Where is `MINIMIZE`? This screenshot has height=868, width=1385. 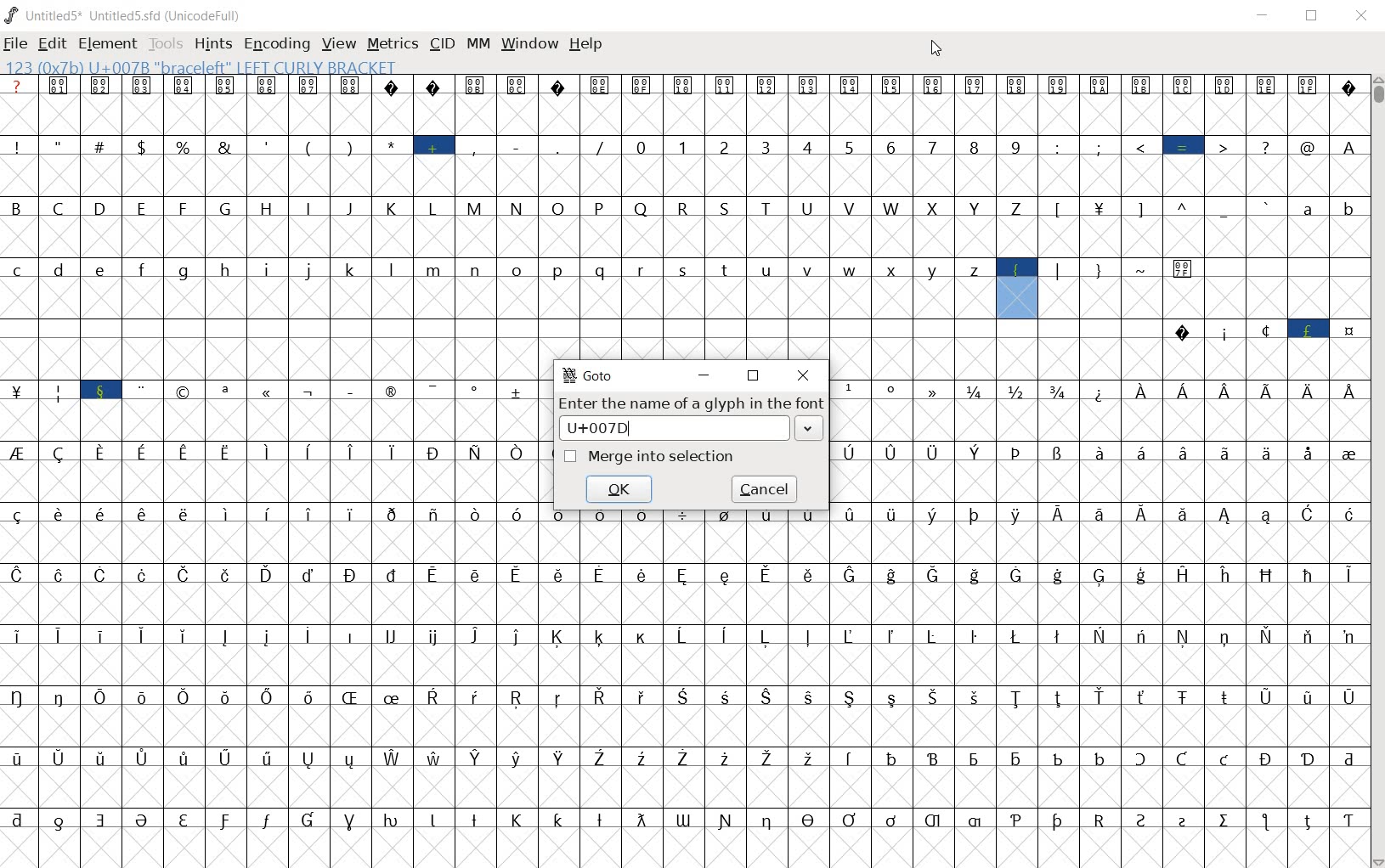
MINIMIZE is located at coordinates (704, 375).